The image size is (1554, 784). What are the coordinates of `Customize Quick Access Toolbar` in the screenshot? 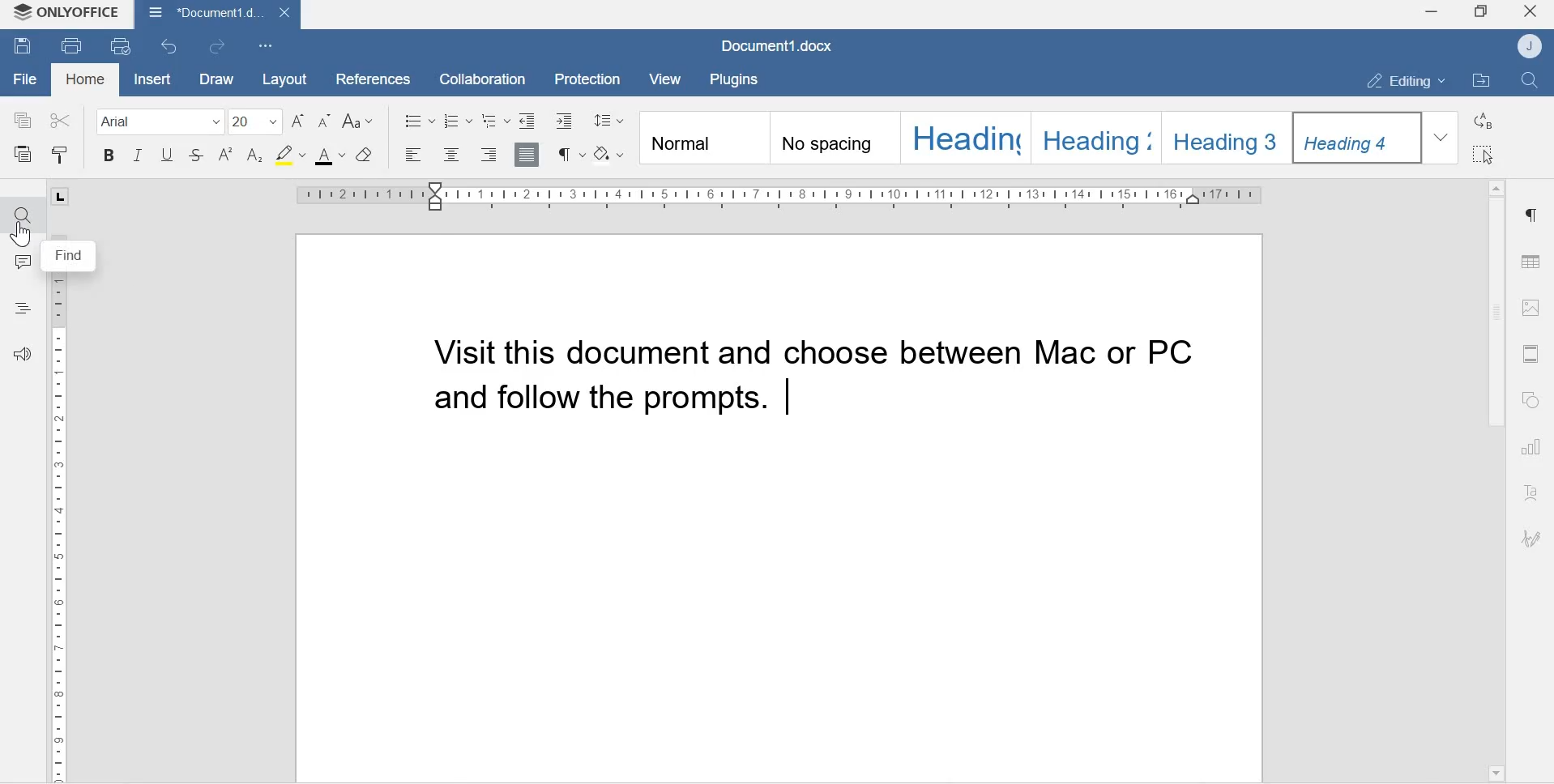 It's located at (267, 45).